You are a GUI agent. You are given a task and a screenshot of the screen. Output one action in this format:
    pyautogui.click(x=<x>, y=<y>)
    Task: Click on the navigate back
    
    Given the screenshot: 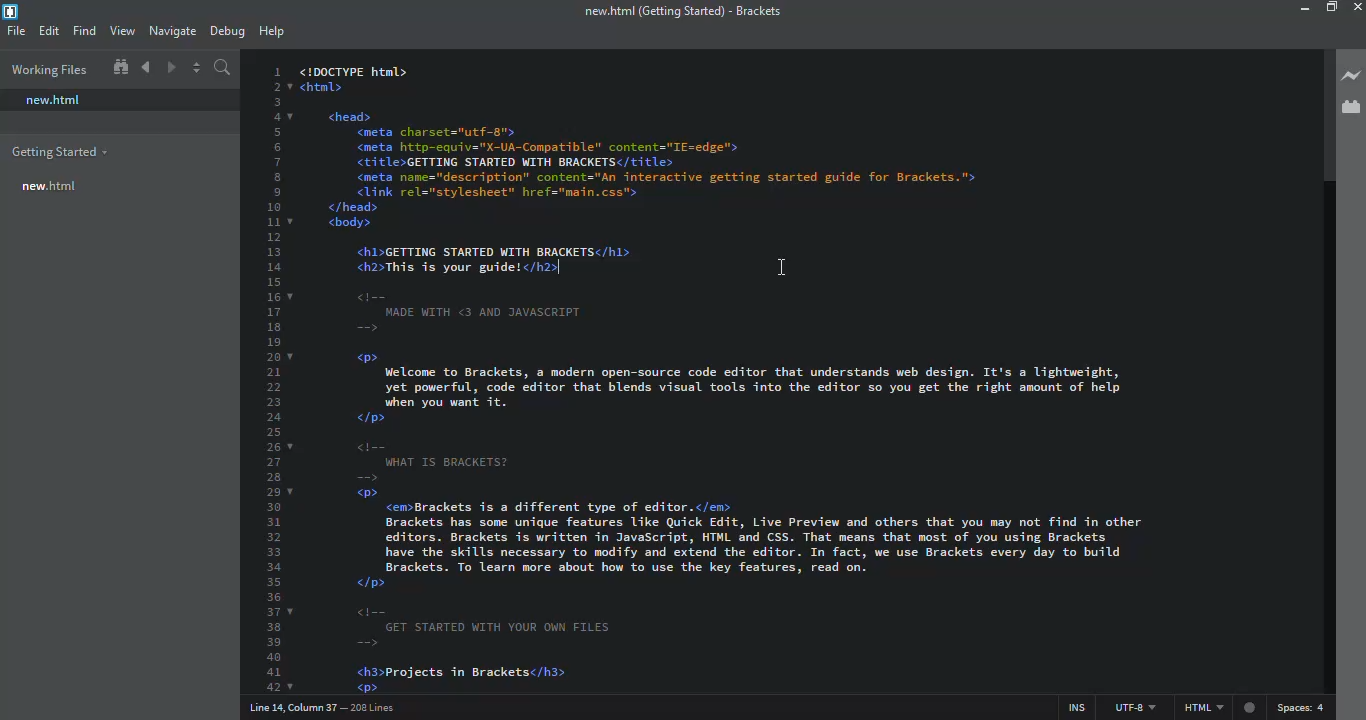 What is the action you would take?
    pyautogui.click(x=146, y=67)
    